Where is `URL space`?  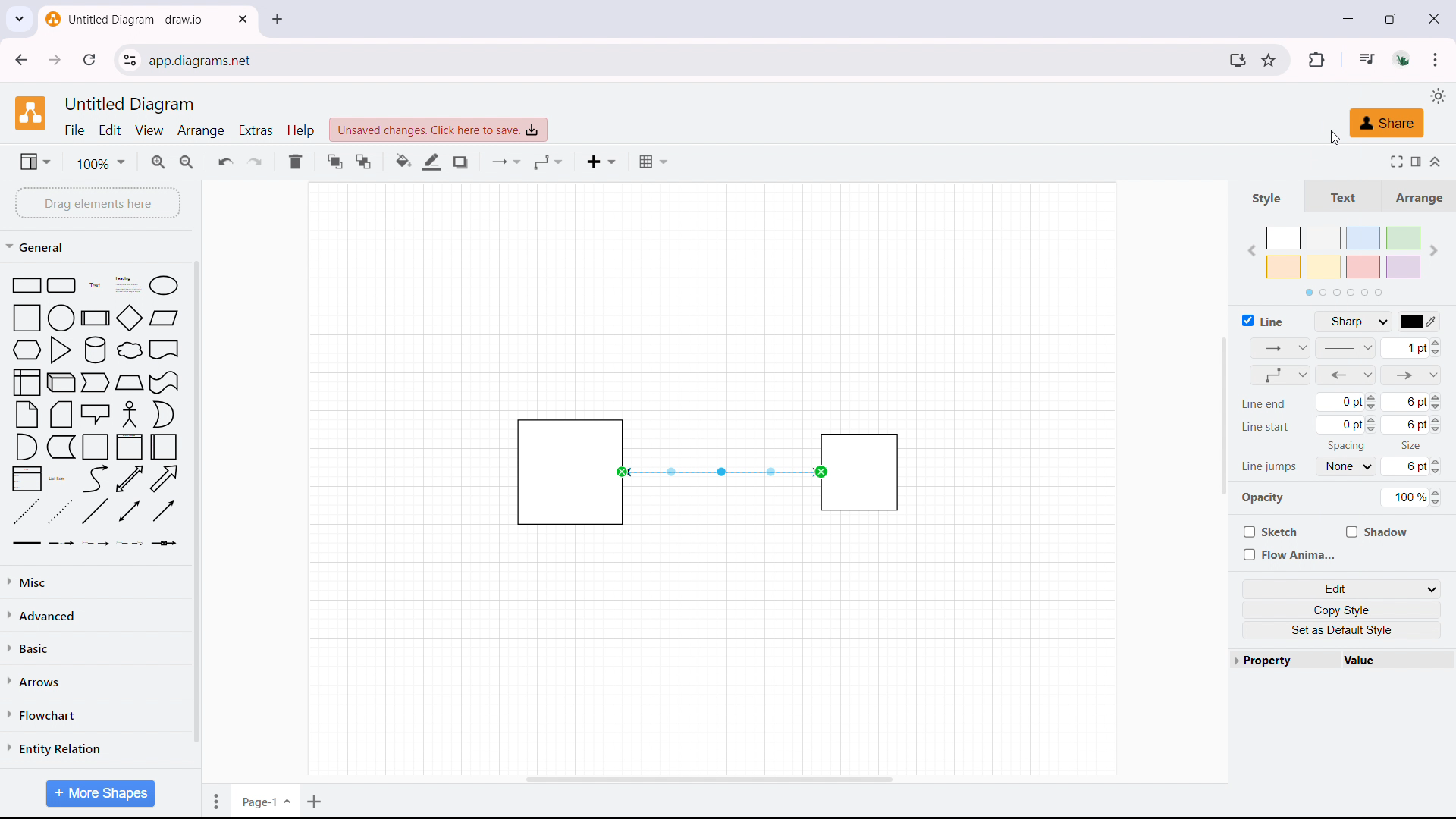 URL space is located at coordinates (683, 59).